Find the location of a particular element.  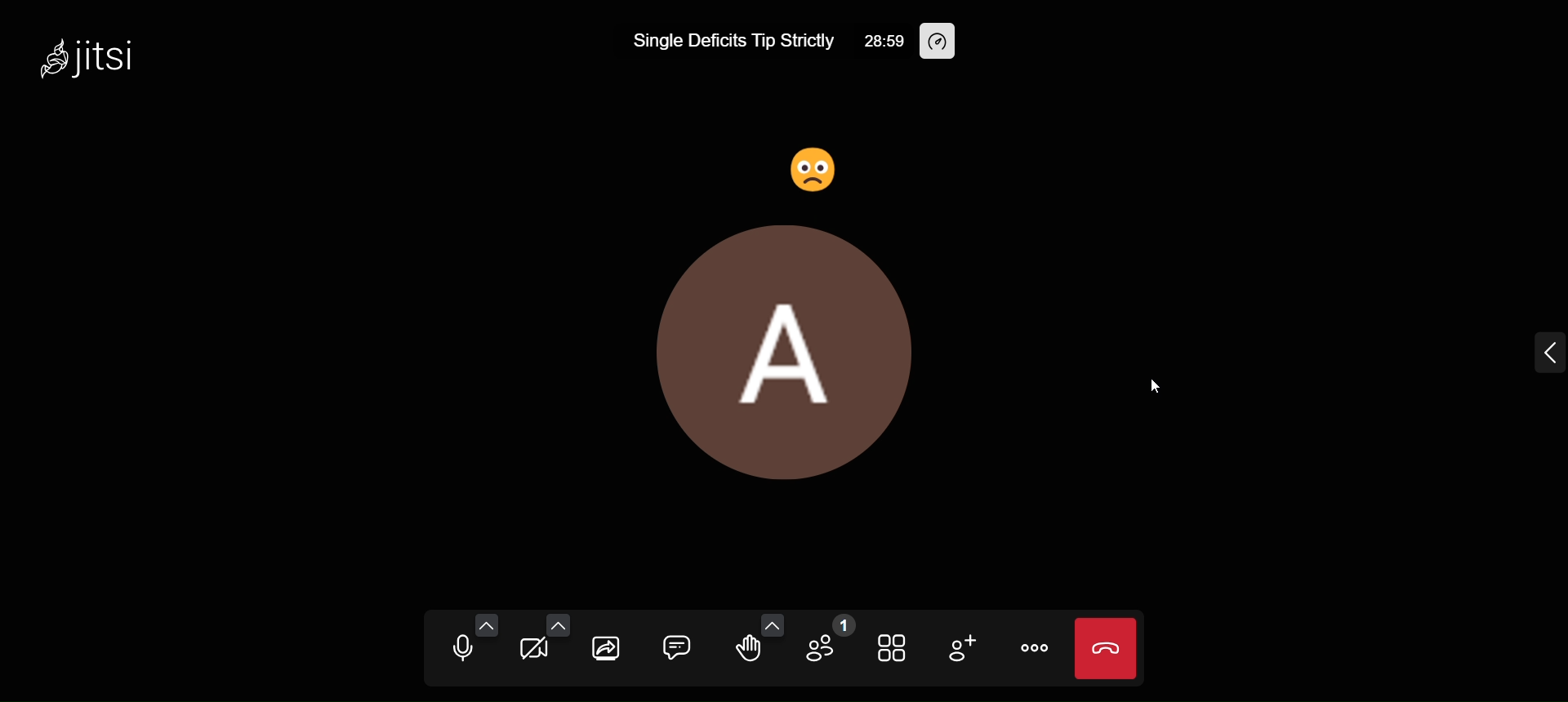

toggle tile is located at coordinates (893, 648).